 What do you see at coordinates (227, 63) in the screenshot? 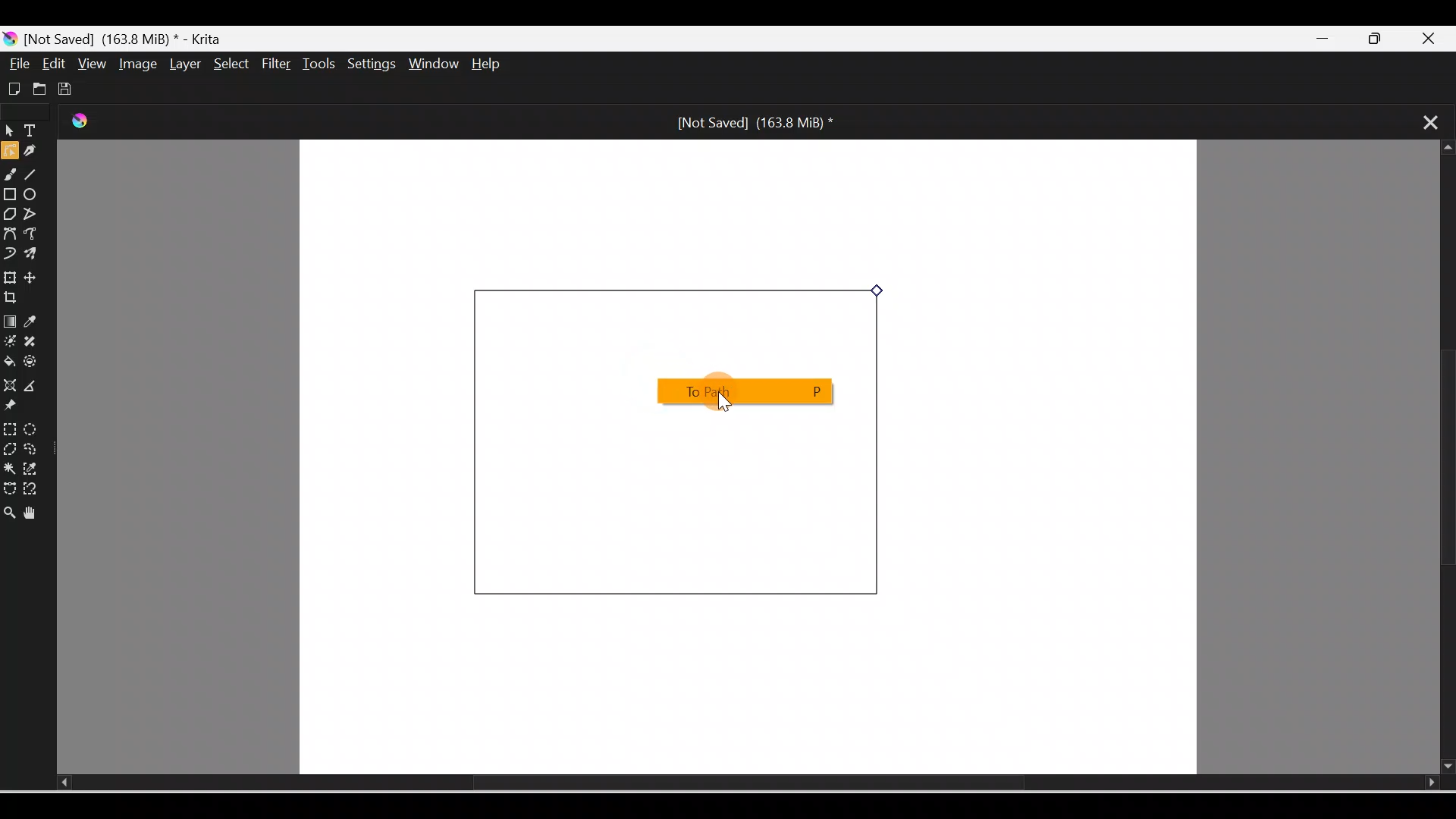
I see `Select` at bounding box center [227, 63].